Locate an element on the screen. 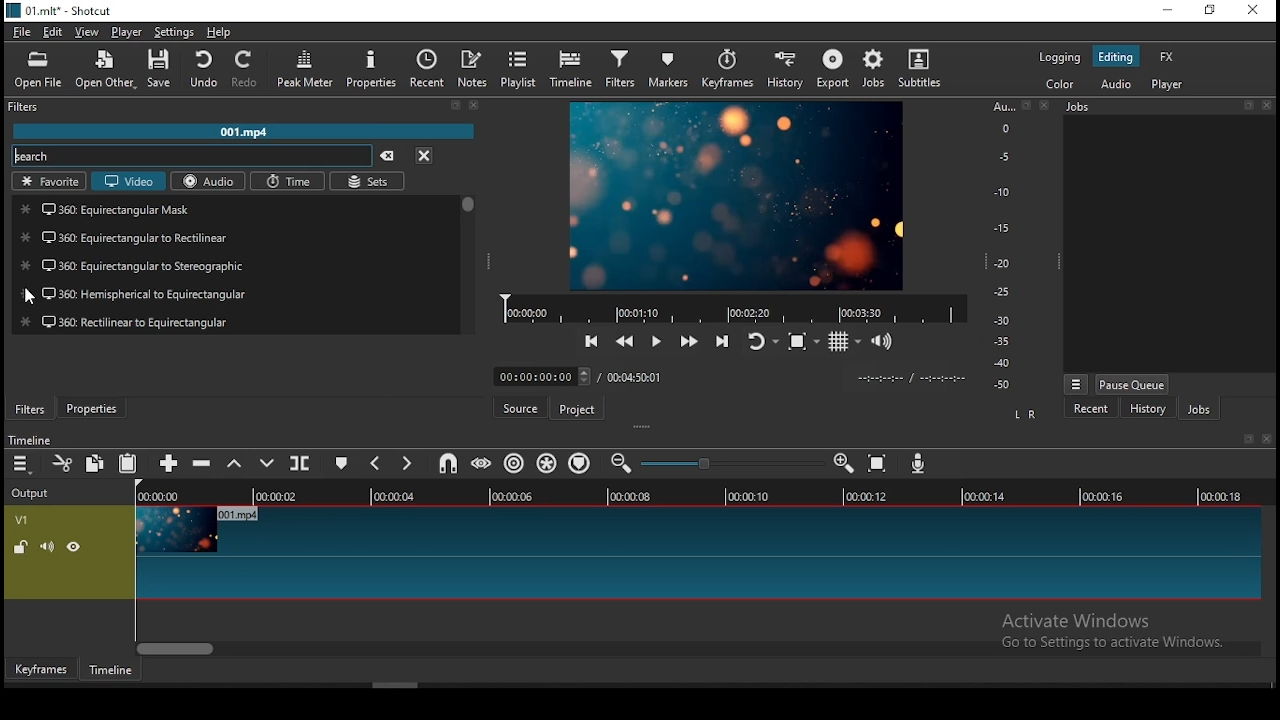  scroll is located at coordinates (474, 206).